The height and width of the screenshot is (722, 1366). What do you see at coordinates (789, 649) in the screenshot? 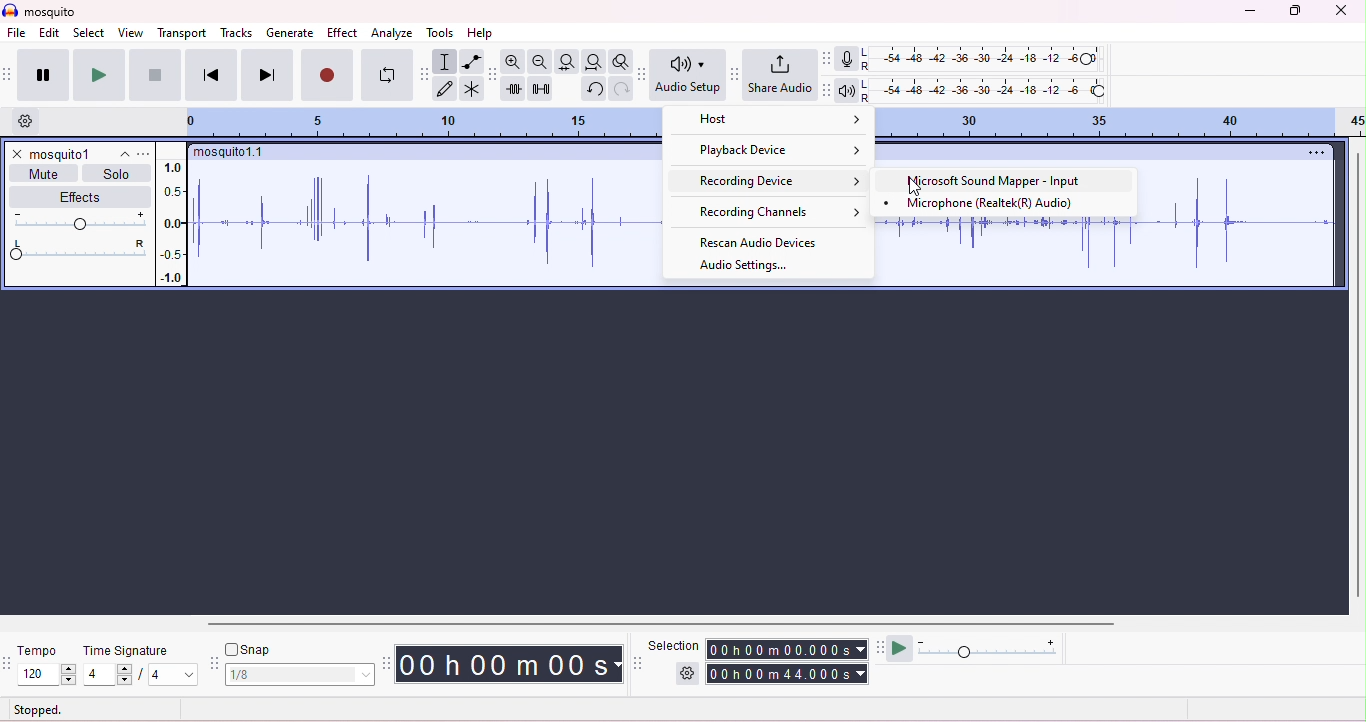
I see `selection time` at bounding box center [789, 649].